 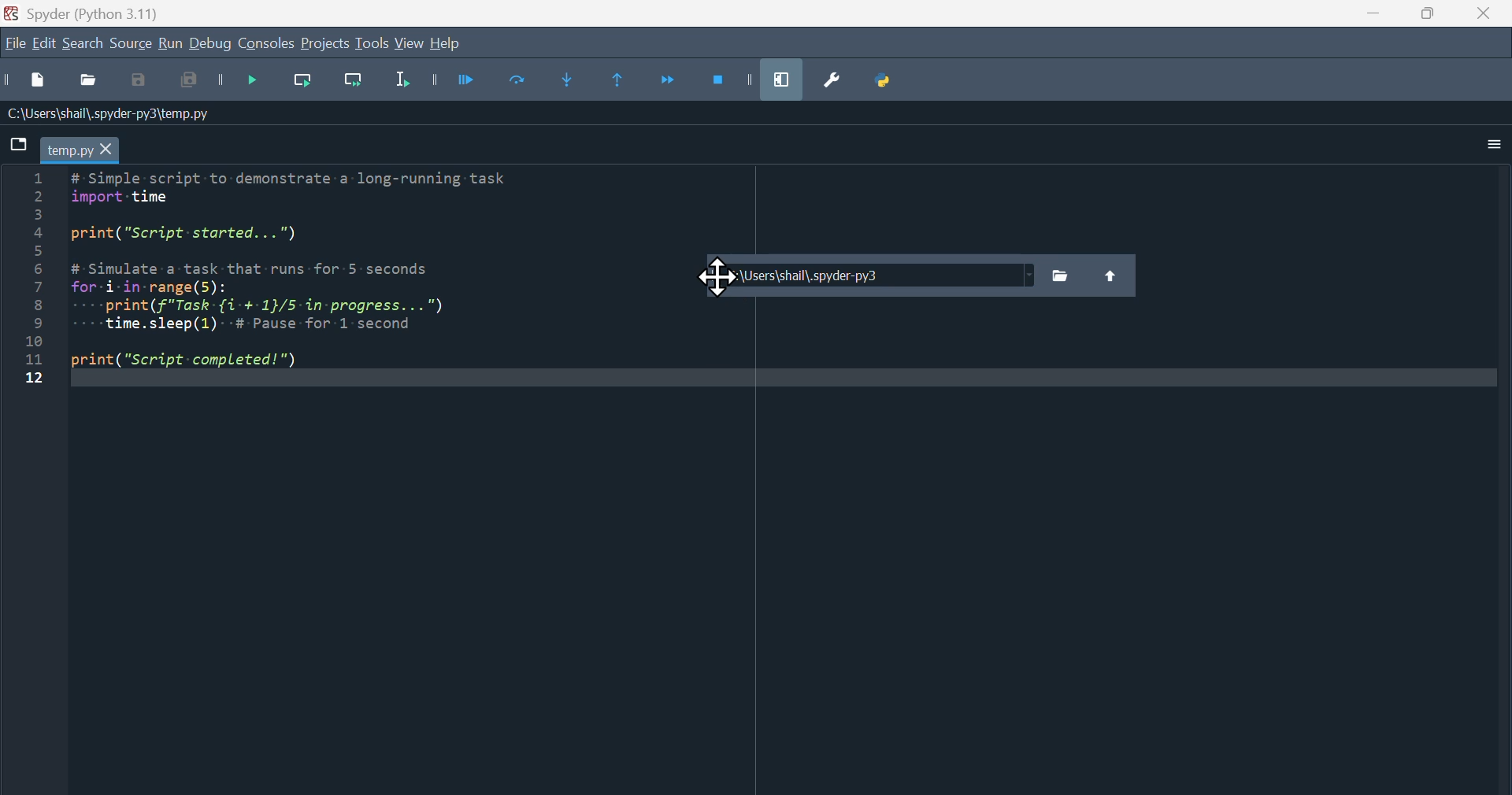 What do you see at coordinates (580, 83) in the screenshot?
I see `Step into function` at bounding box center [580, 83].